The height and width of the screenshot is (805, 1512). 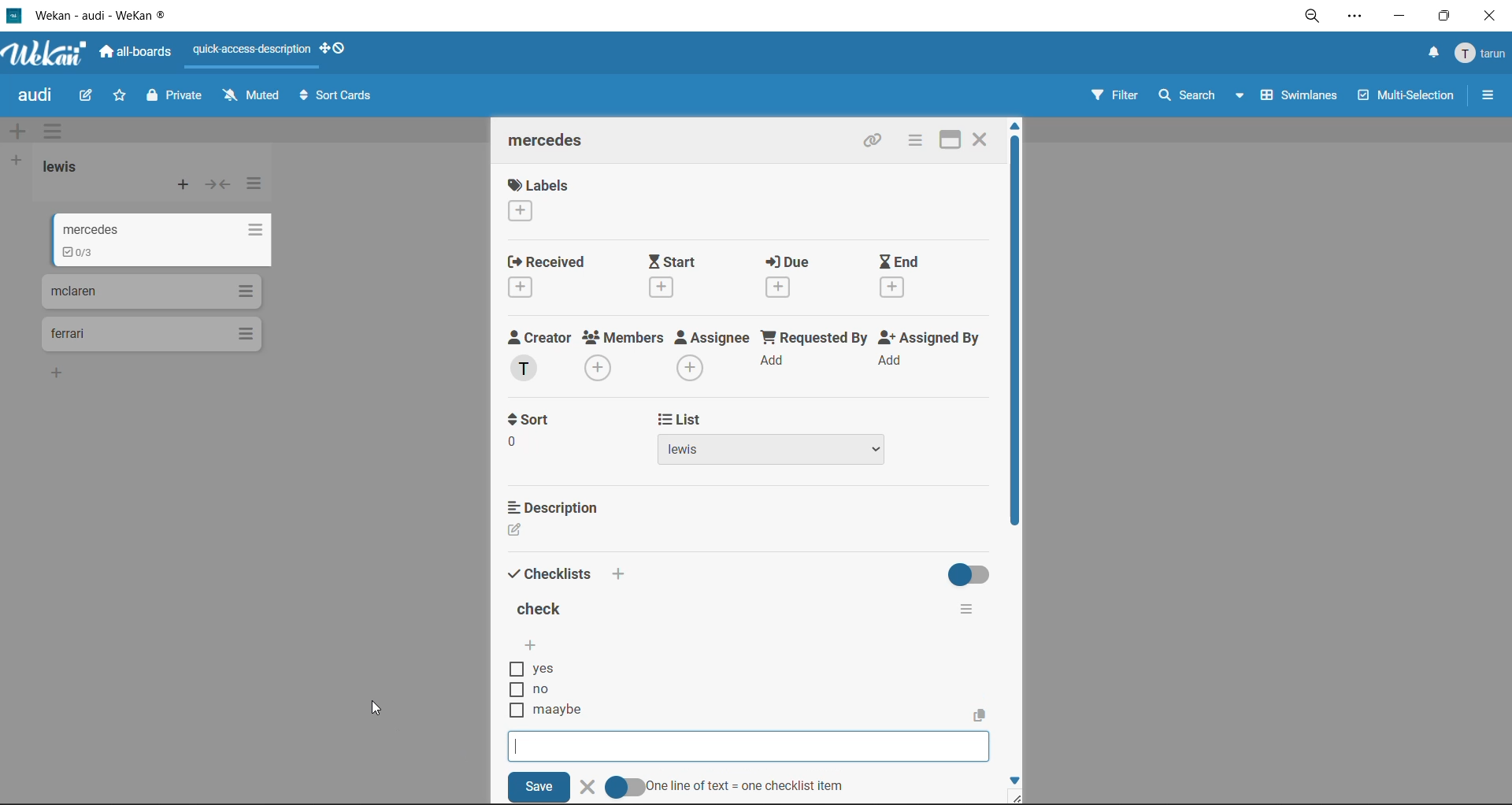 I want to click on notifications, so click(x=1431, y=54).